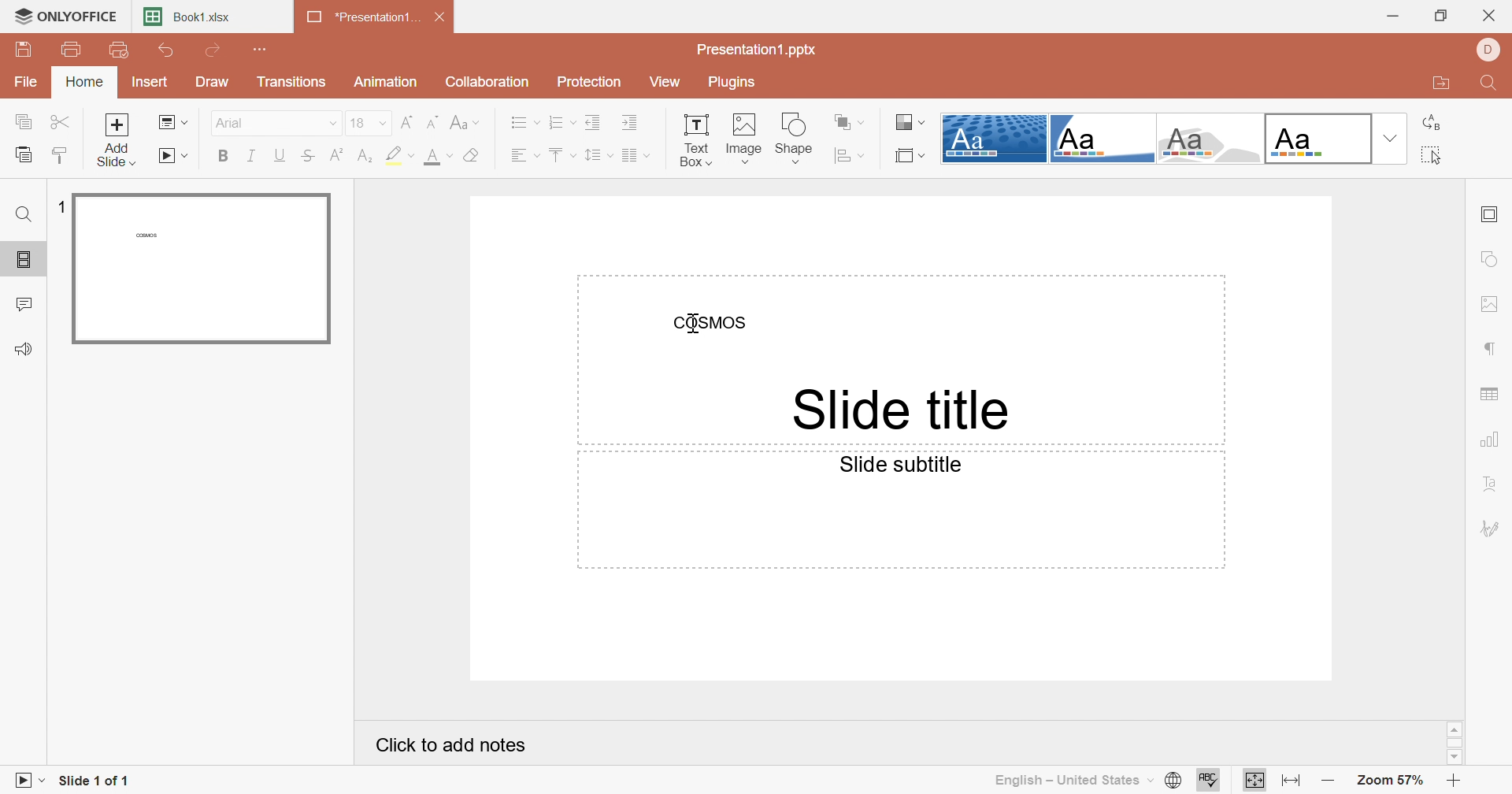 The height and width of the screenshot is (794, 1512). Describe the element at coordinates (1290, 779) in the screenshot. I see `Fit to width` at that location.